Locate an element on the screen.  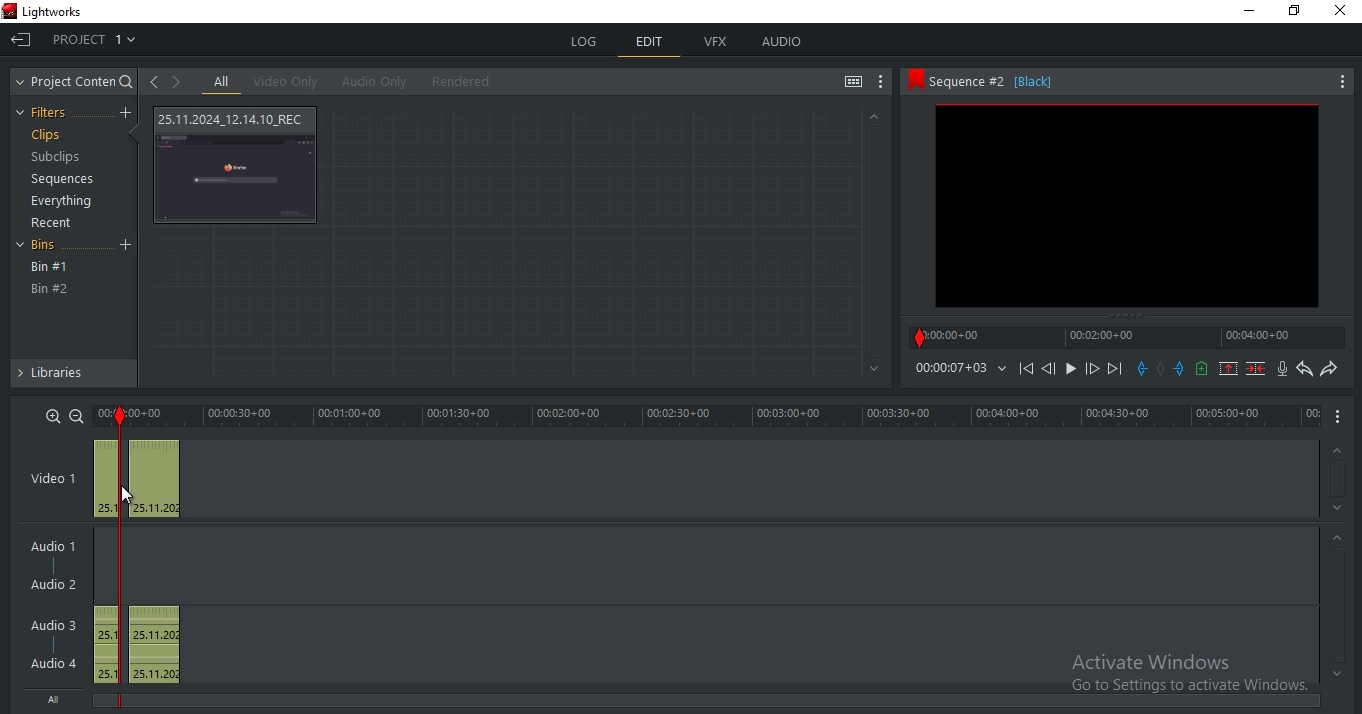
Up is located at coordinates (873, 116).